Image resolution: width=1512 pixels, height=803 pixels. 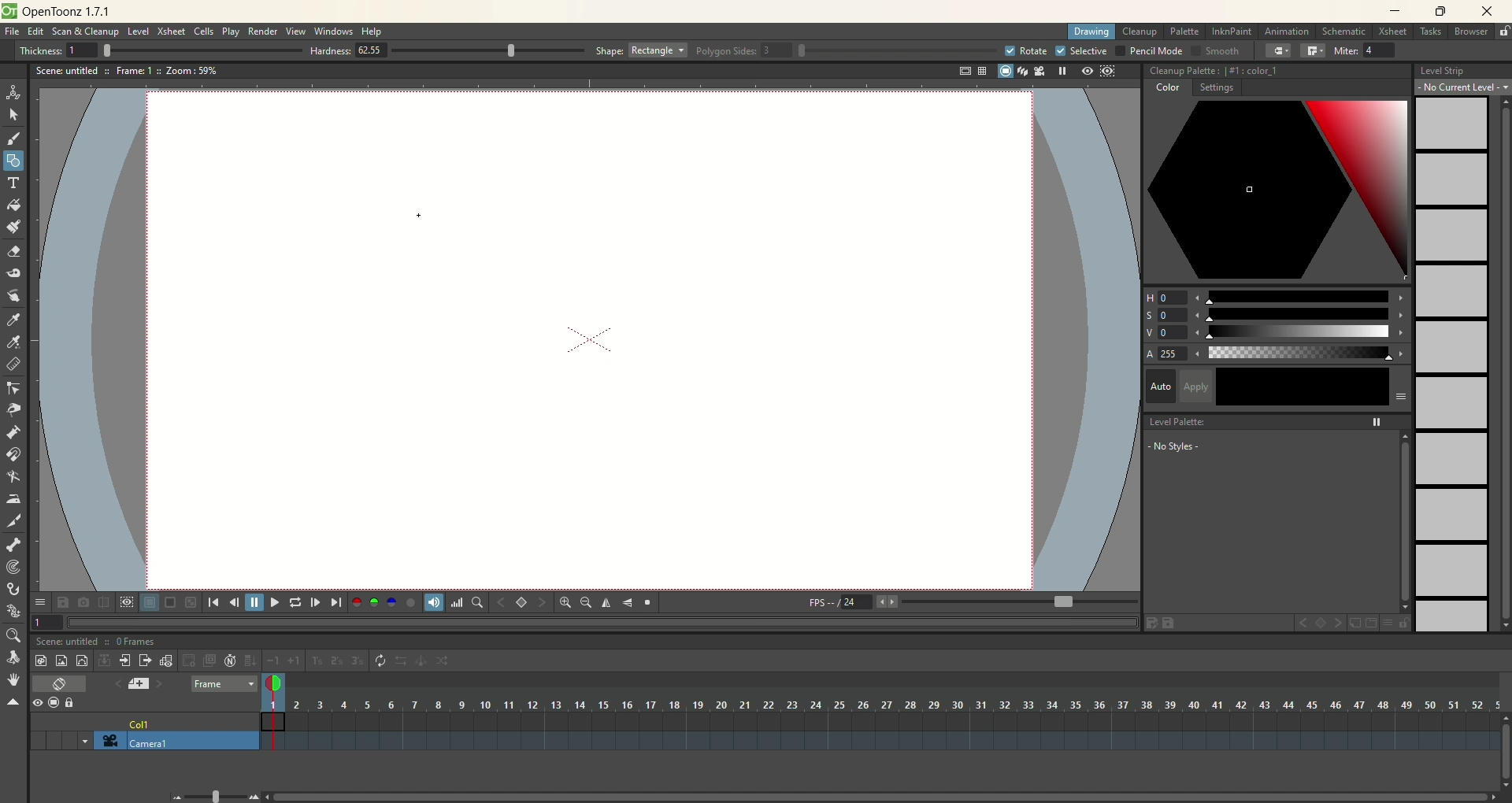 What do you see at coordinates (65, 602) in the screenshot?
I see `save image` at bounding box center [65, 602].